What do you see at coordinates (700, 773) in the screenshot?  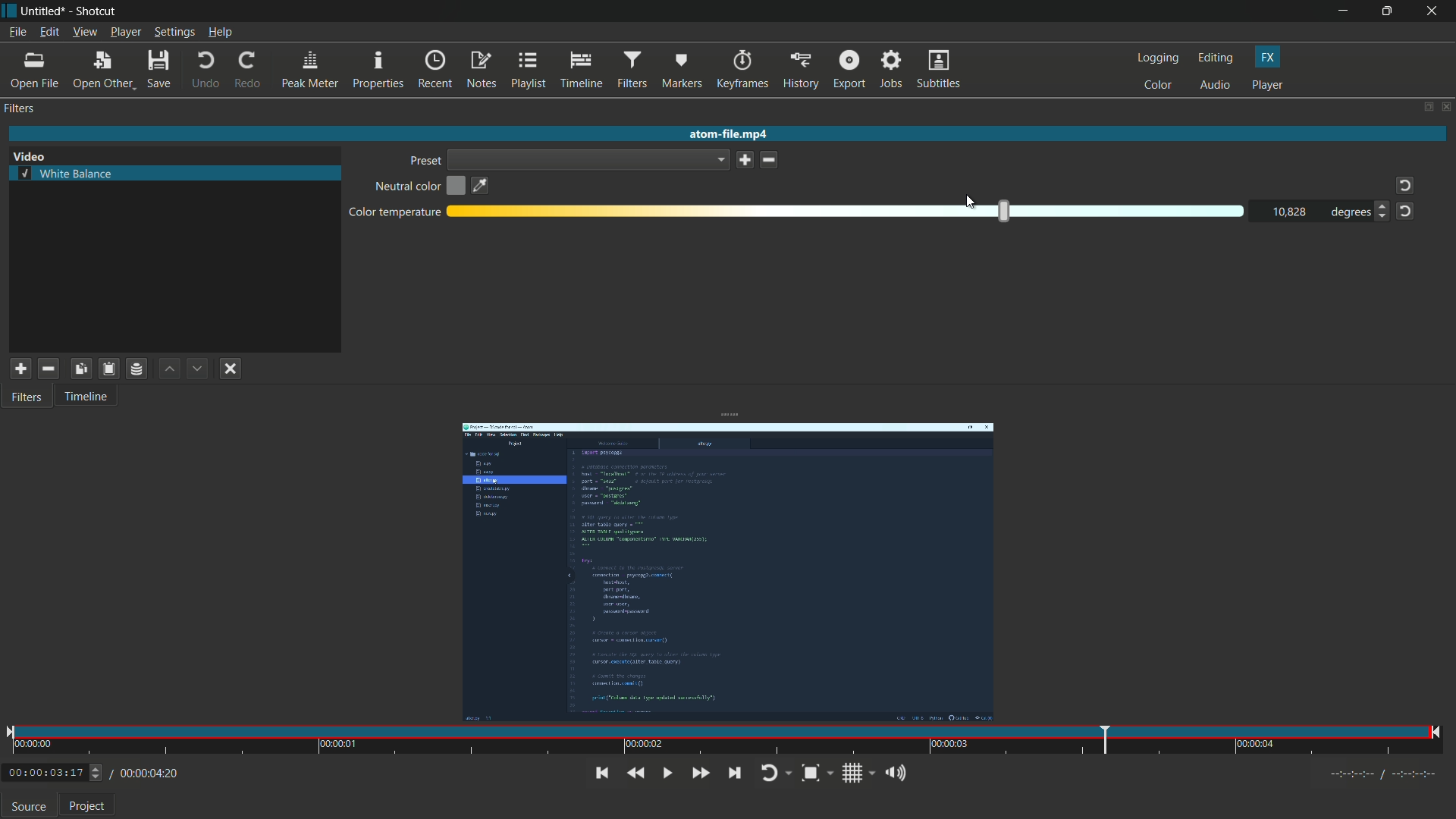 I see `quickly play forward` at bounding box center [700, 773].